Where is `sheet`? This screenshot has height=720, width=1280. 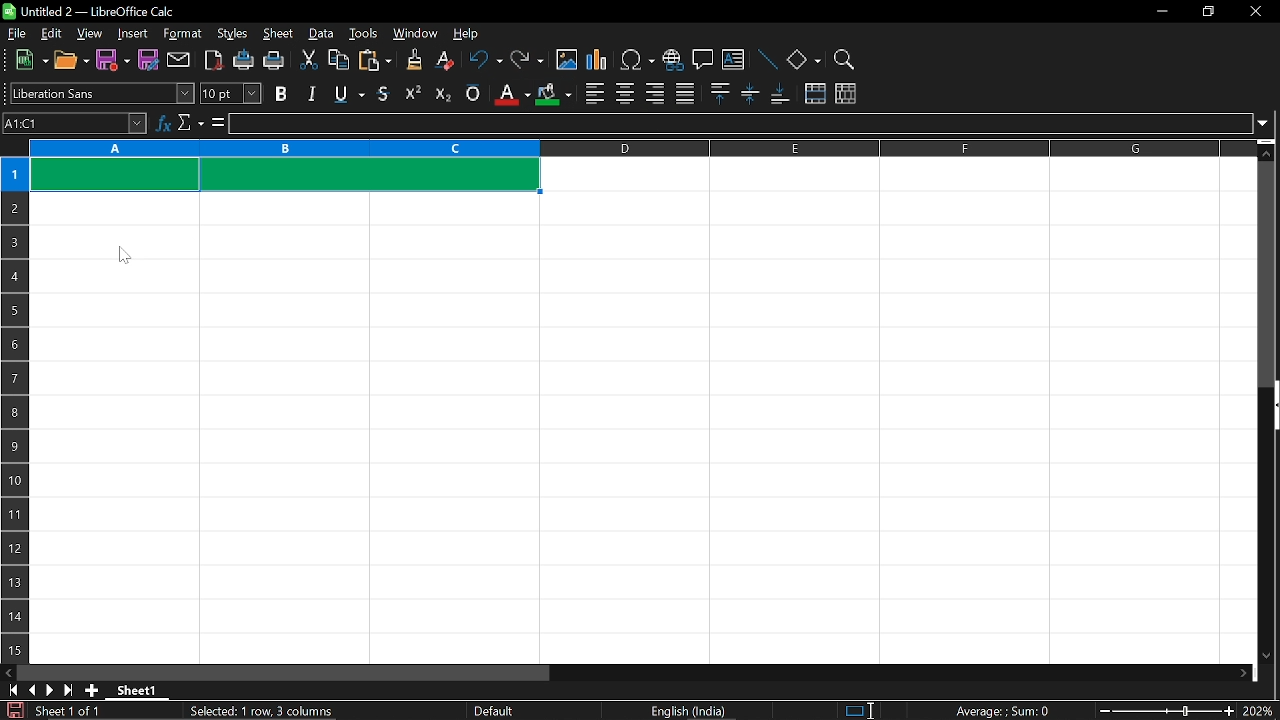
sheet is located at coordinates (278, 34).